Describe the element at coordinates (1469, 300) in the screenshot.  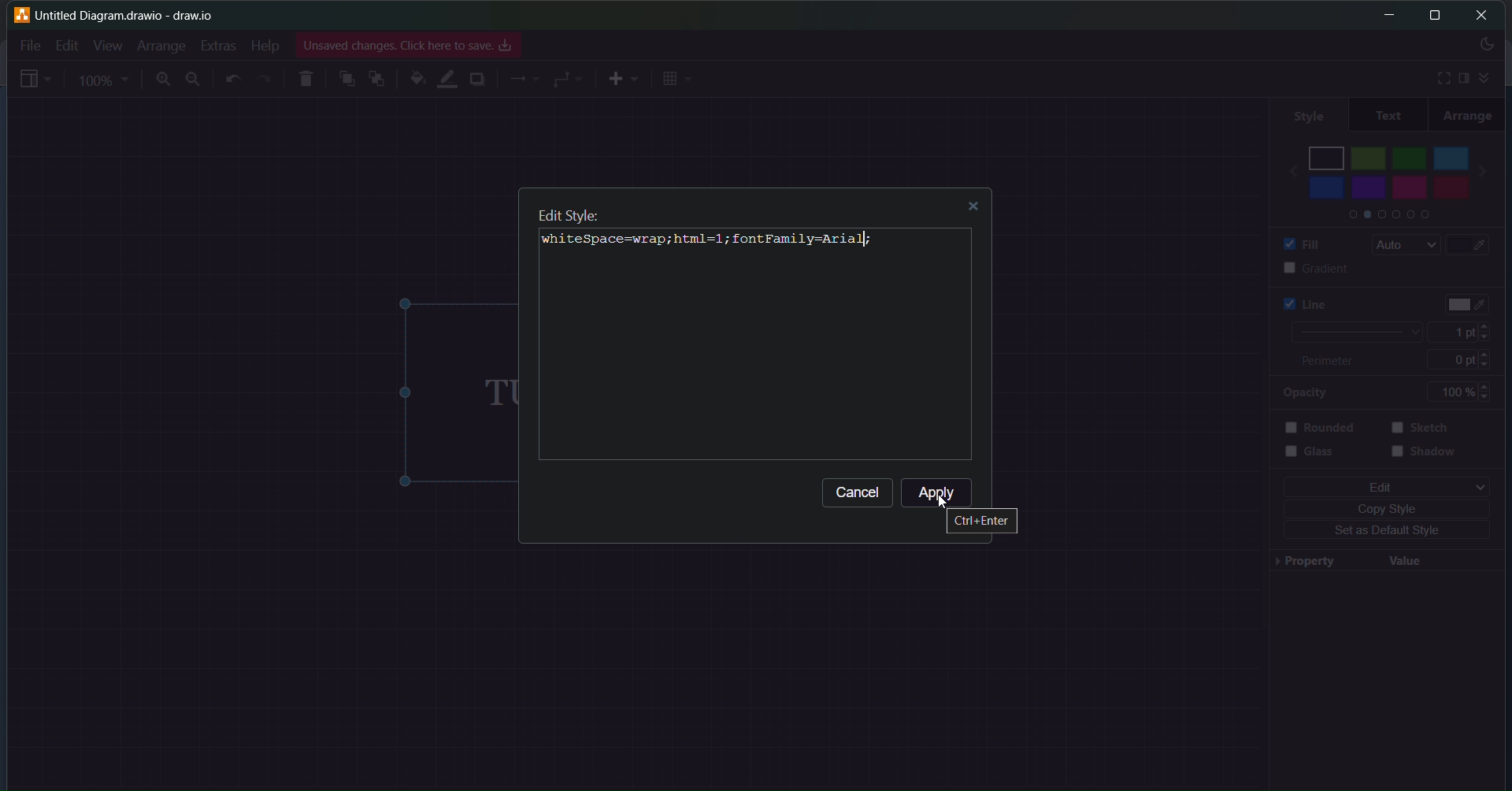
I see `text color` at that location.